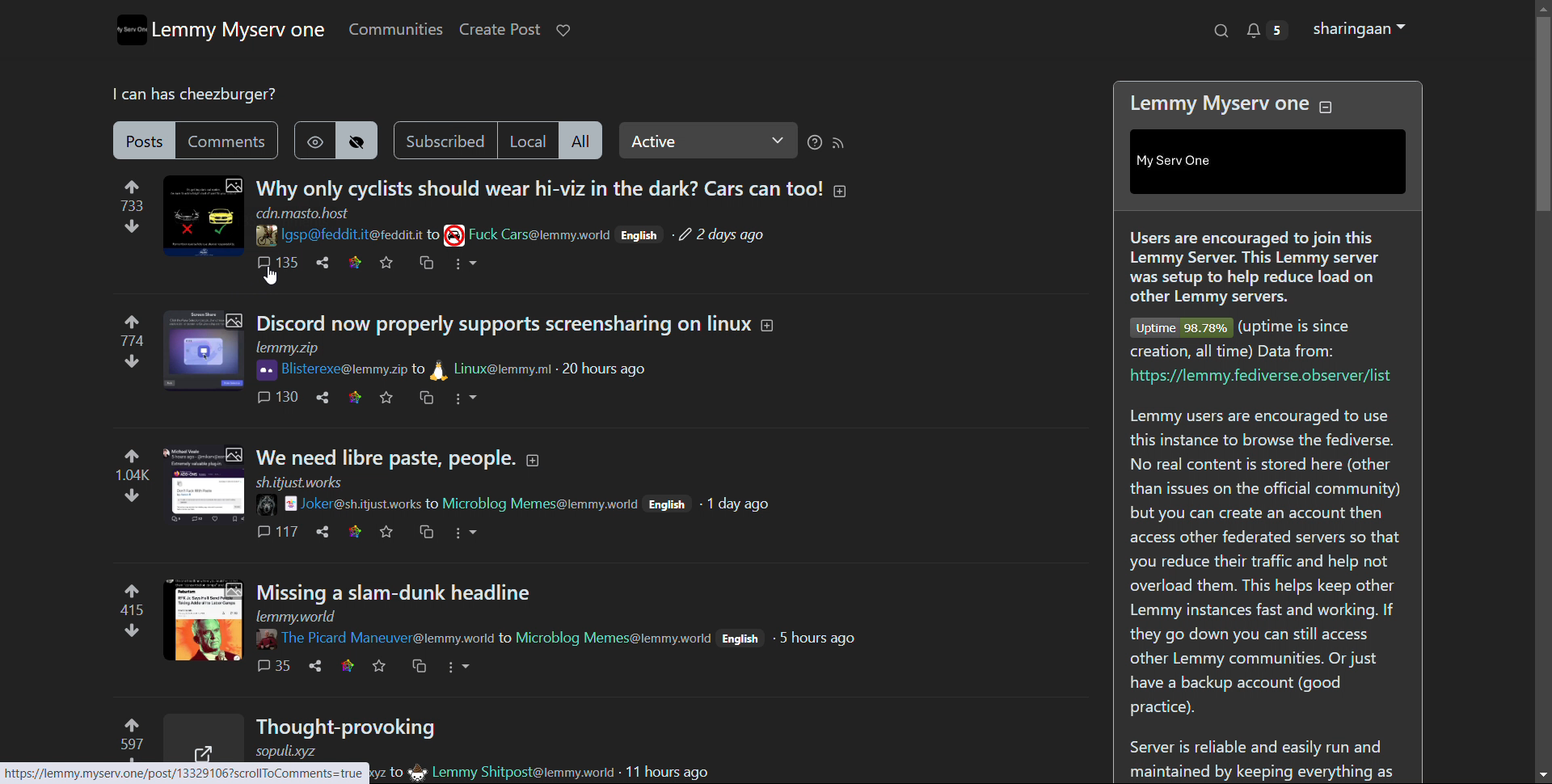 This screenshot has width=1552, height=784. What do you see at coordinates (722, 235) in the screenshot?
I see `time of posting` at bounding box center [722, 235].